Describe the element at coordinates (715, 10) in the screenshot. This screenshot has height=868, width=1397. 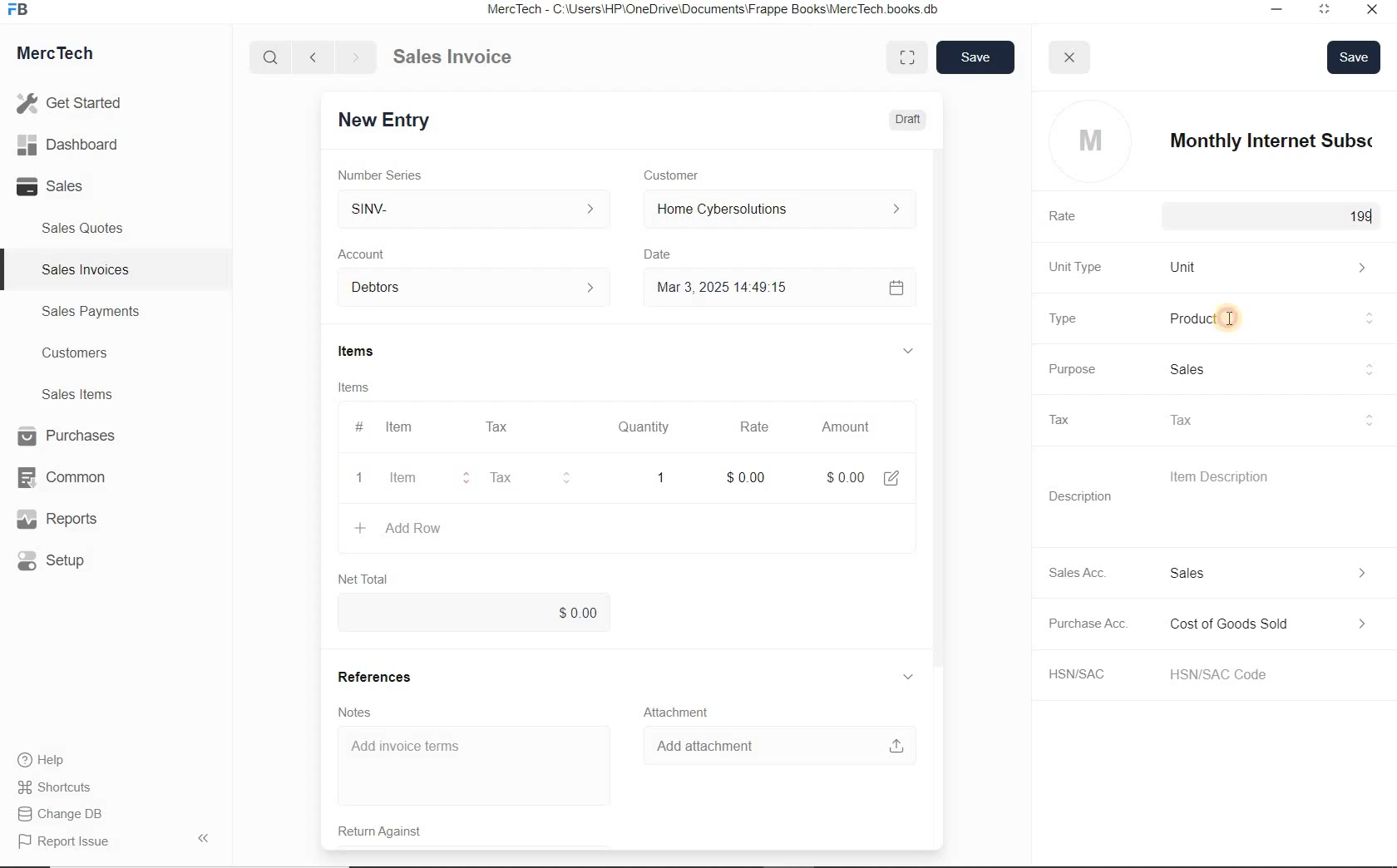
I see `MercTech - C:\Users\HP\OneDrive\Documents\Frappe Books\MercTech books db` at that location.